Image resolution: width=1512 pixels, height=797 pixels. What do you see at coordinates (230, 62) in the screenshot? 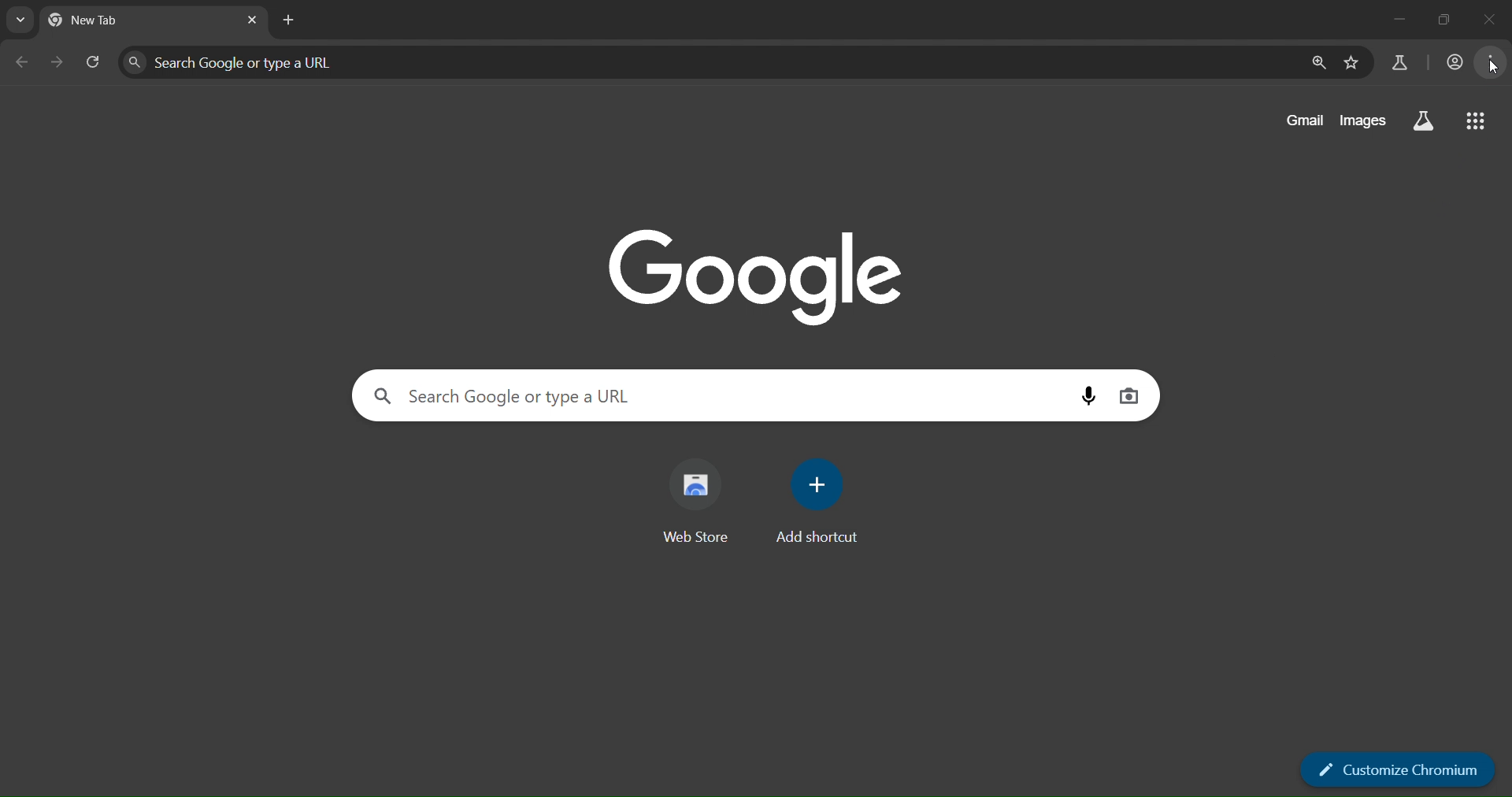
I see `Search Google or type a URL` at bounding box center [230, 62].